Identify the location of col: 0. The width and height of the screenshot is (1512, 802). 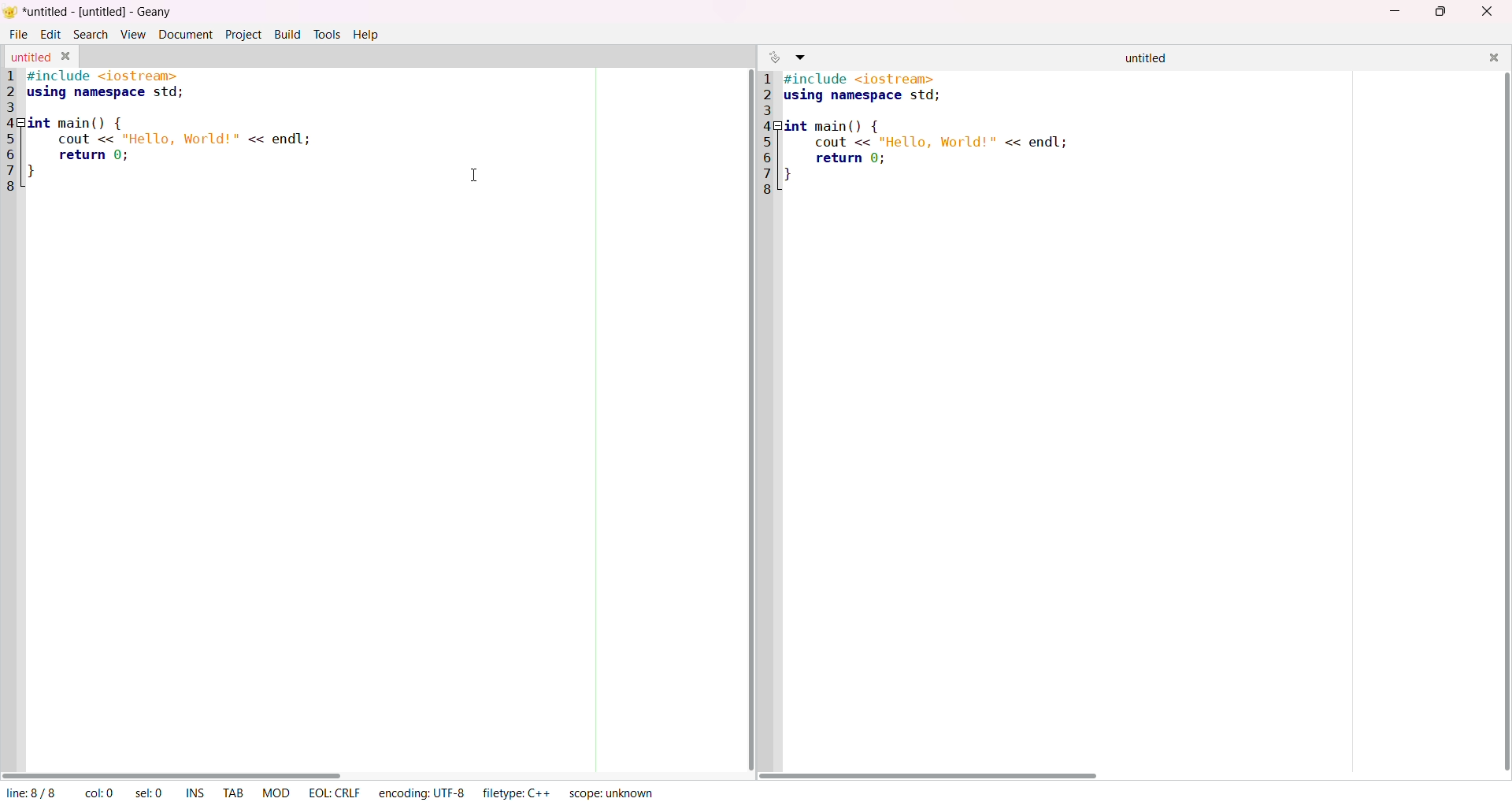
(93, 793).